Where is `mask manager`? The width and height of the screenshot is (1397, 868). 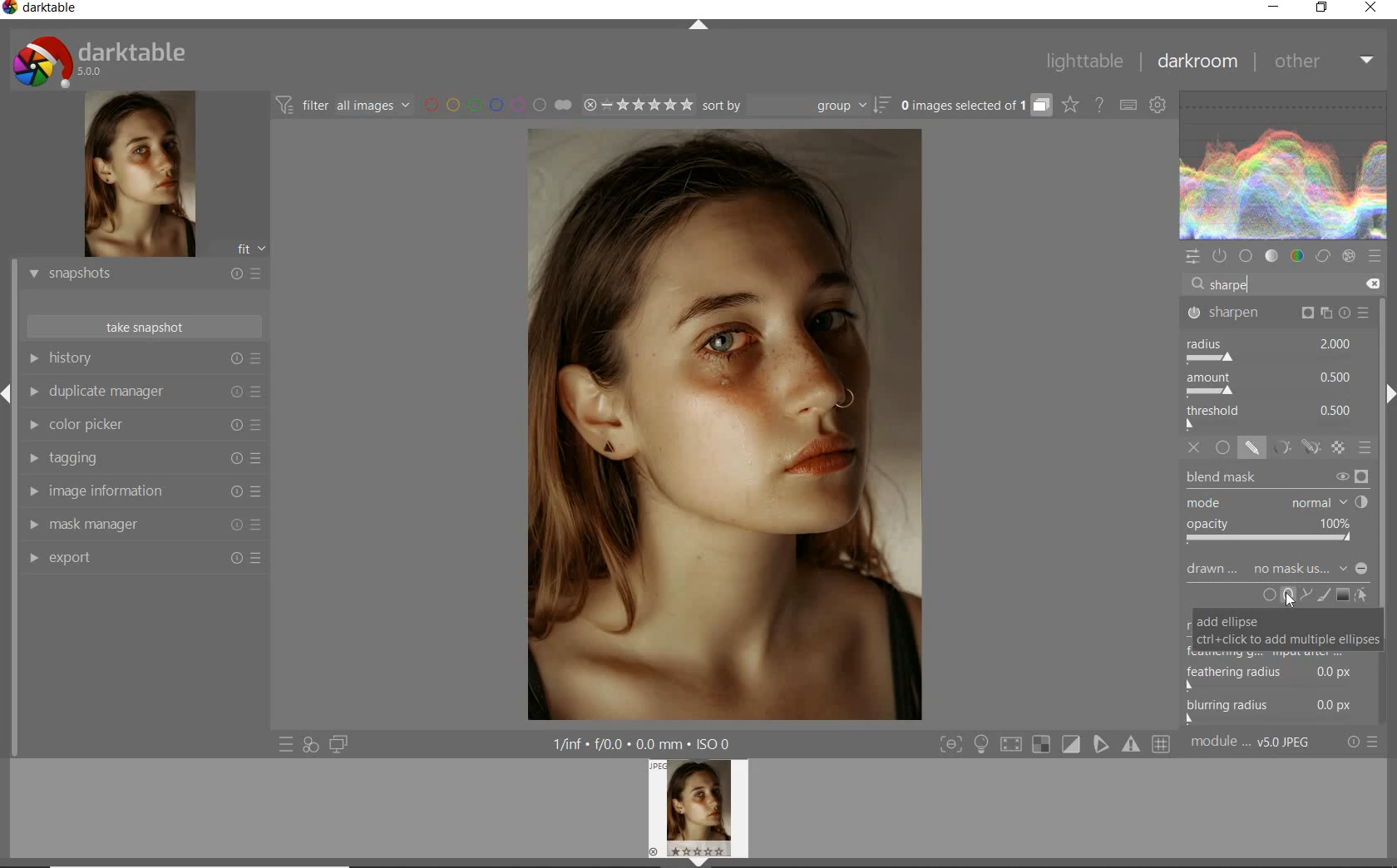
mask manager is located at coordinates (144, 525).